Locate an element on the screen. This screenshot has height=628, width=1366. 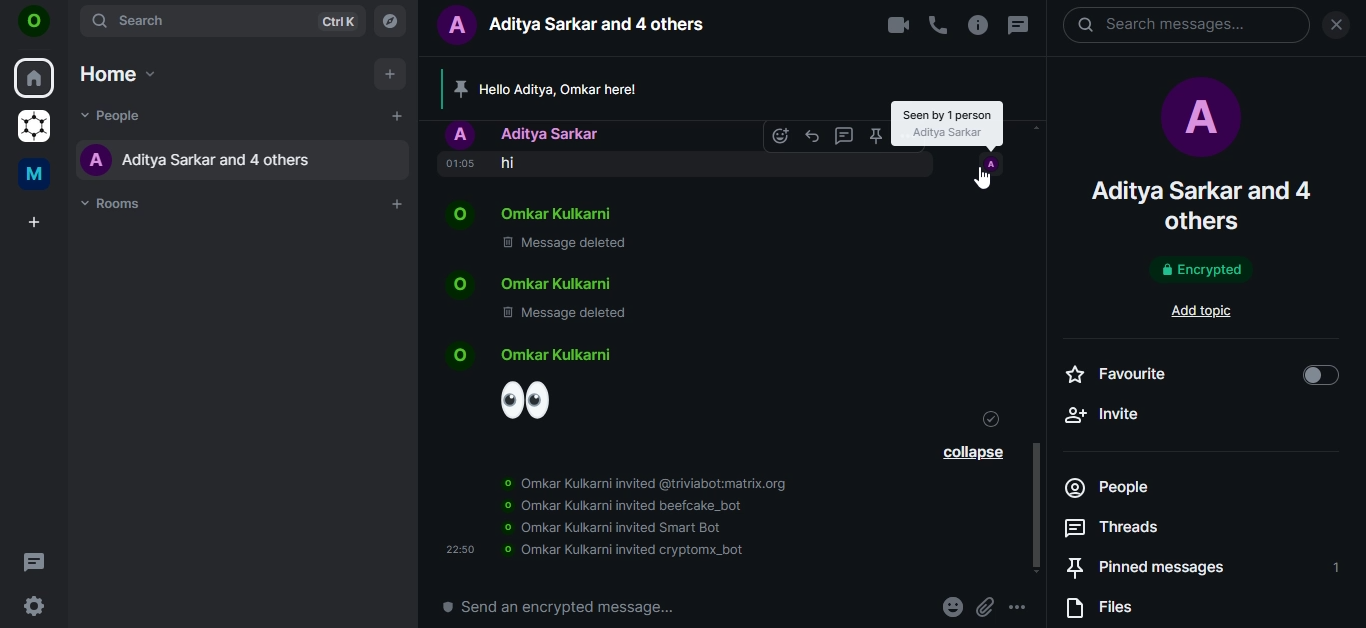
send a encrypted message is located at coordinates (557, 606).